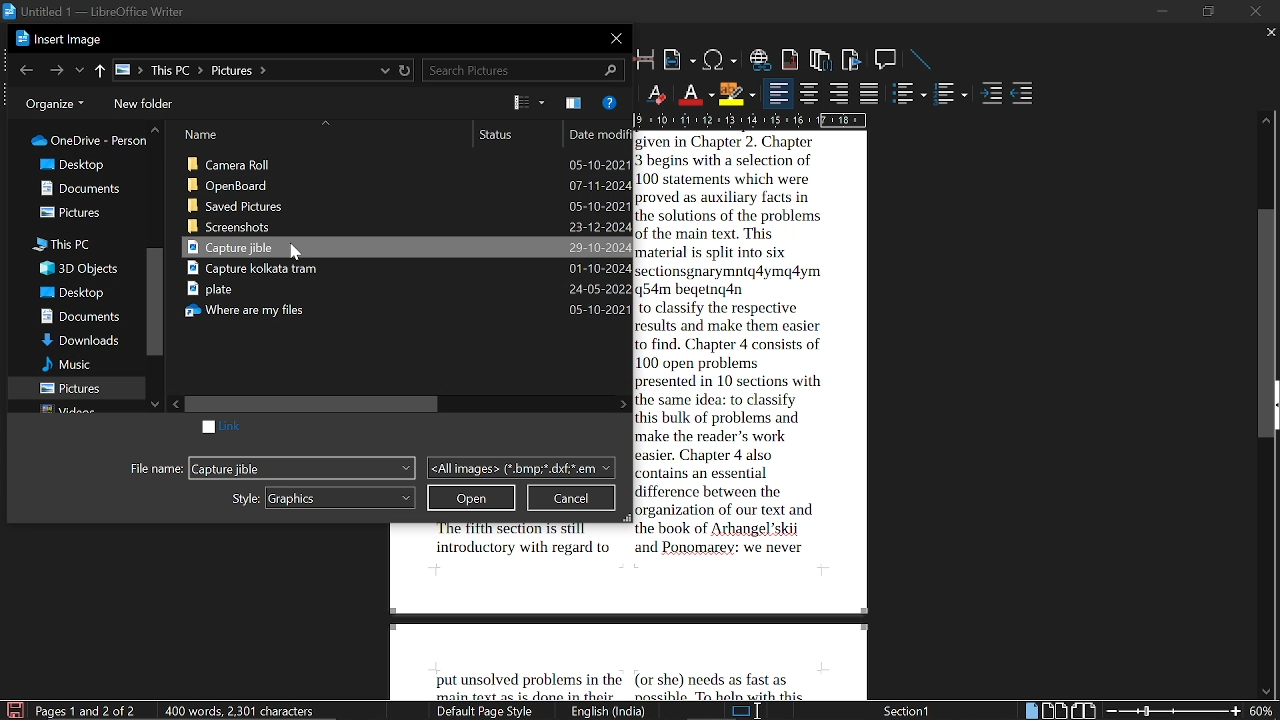 This screenshot has height=720, width=1280. Describe the element at coordinates (176, 403) in the screenshot. I see `move left` at that location.